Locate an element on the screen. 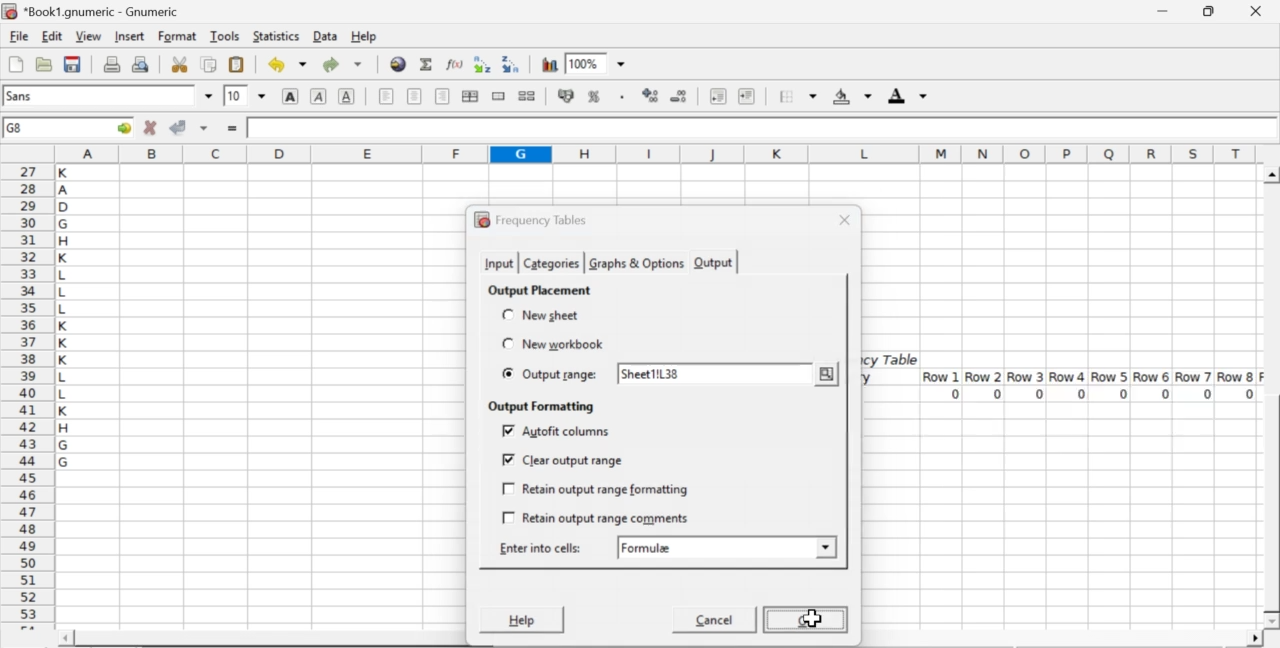 The image size is (1280, 648). statistics is located at coordinates (274, 36).